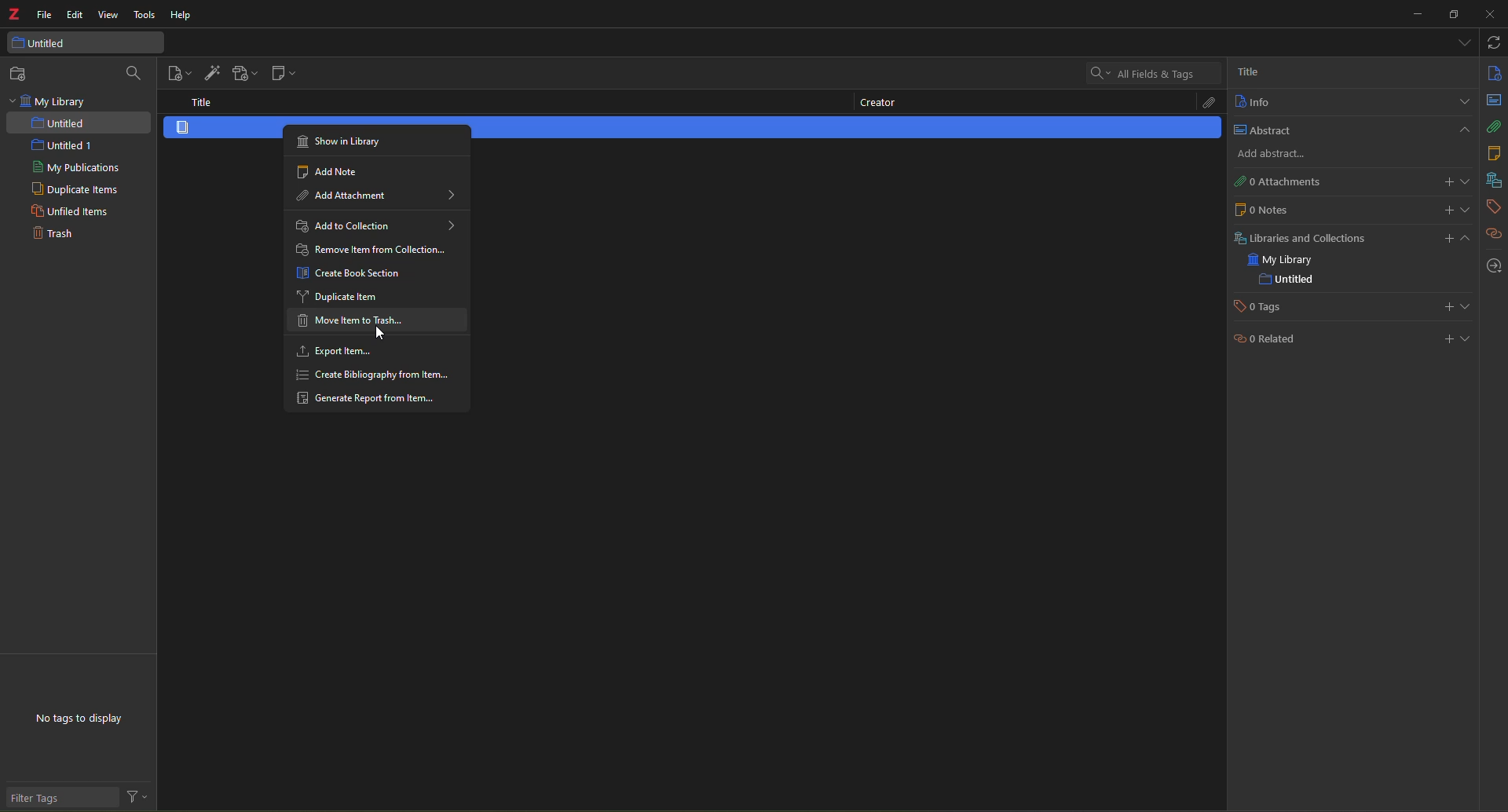  I want to click on add, so click(1268, 155).